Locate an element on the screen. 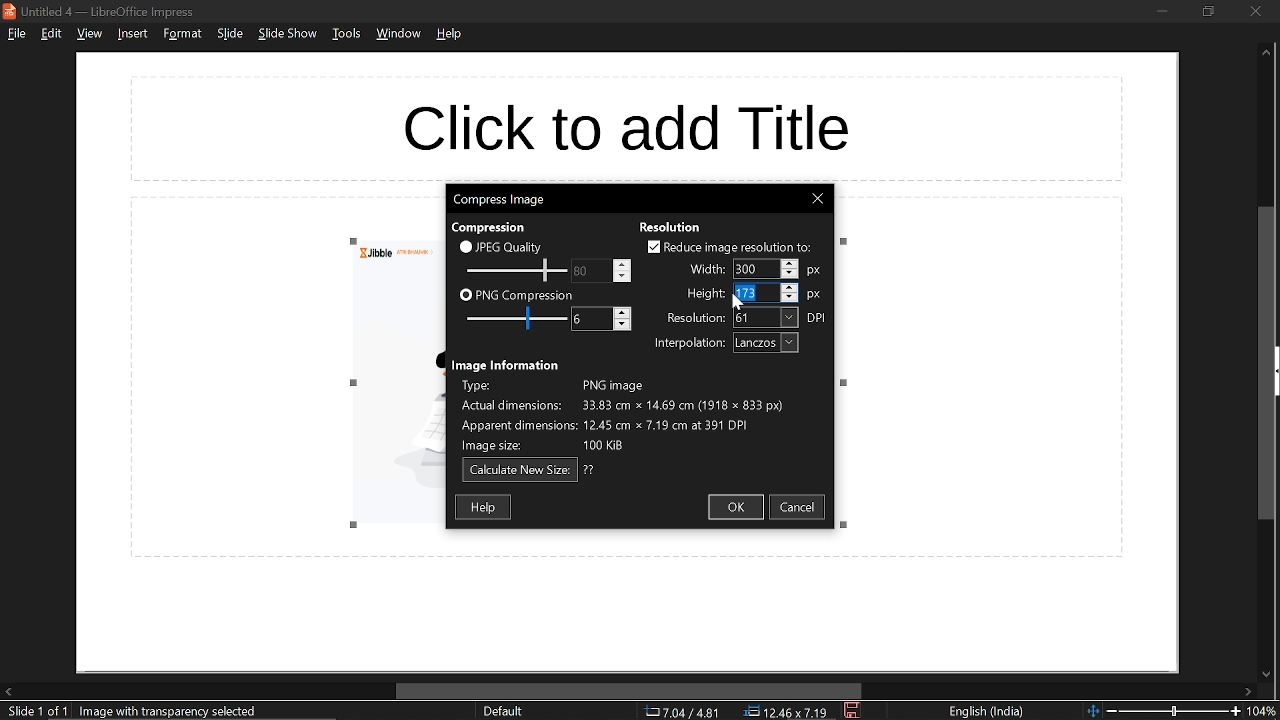 Image resolution: width=1280 pixels, height=720 pixels. Increase  is located at coordinates (623, 312).